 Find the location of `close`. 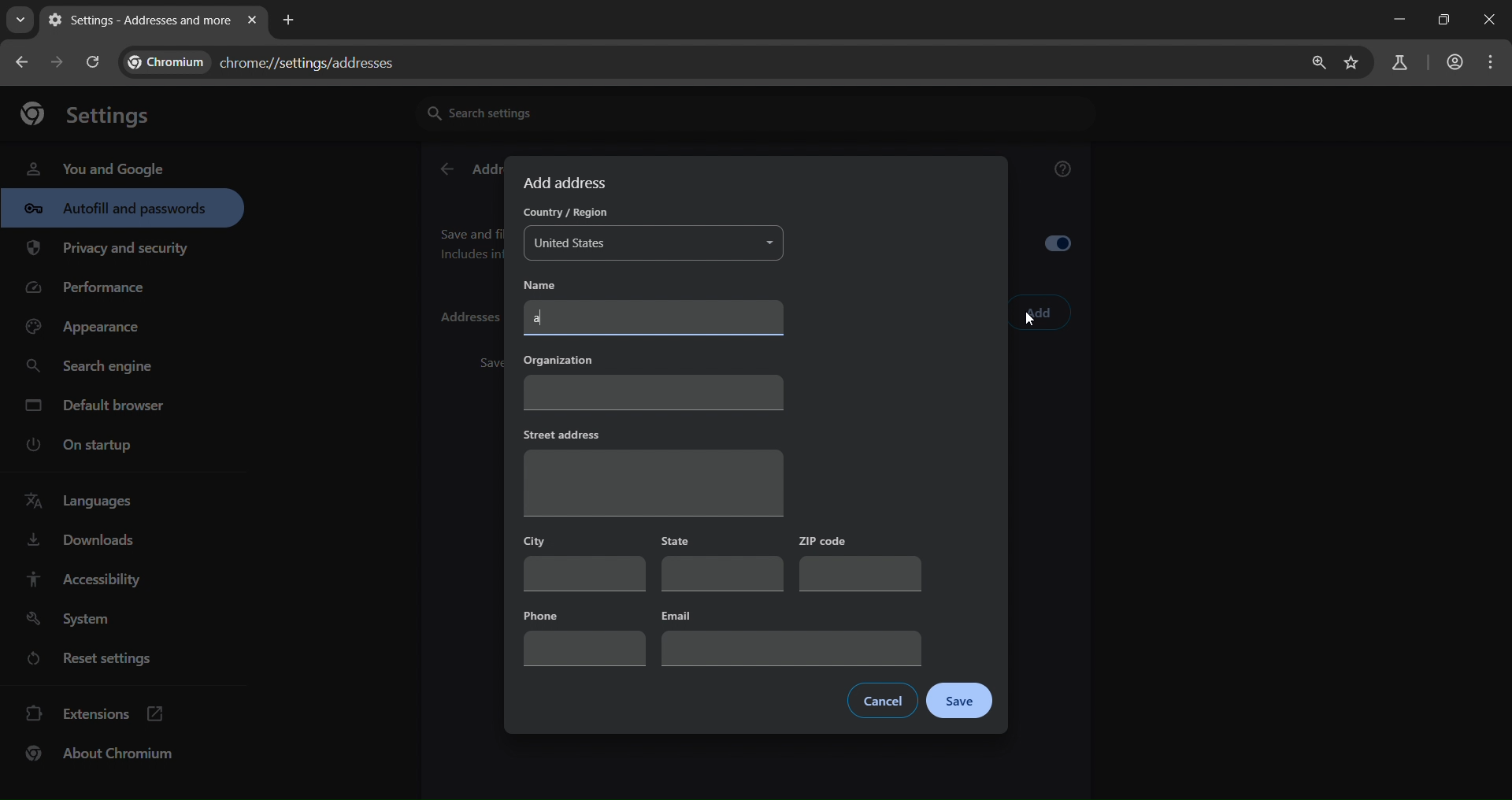

close is located at coordinates (1492, 21).